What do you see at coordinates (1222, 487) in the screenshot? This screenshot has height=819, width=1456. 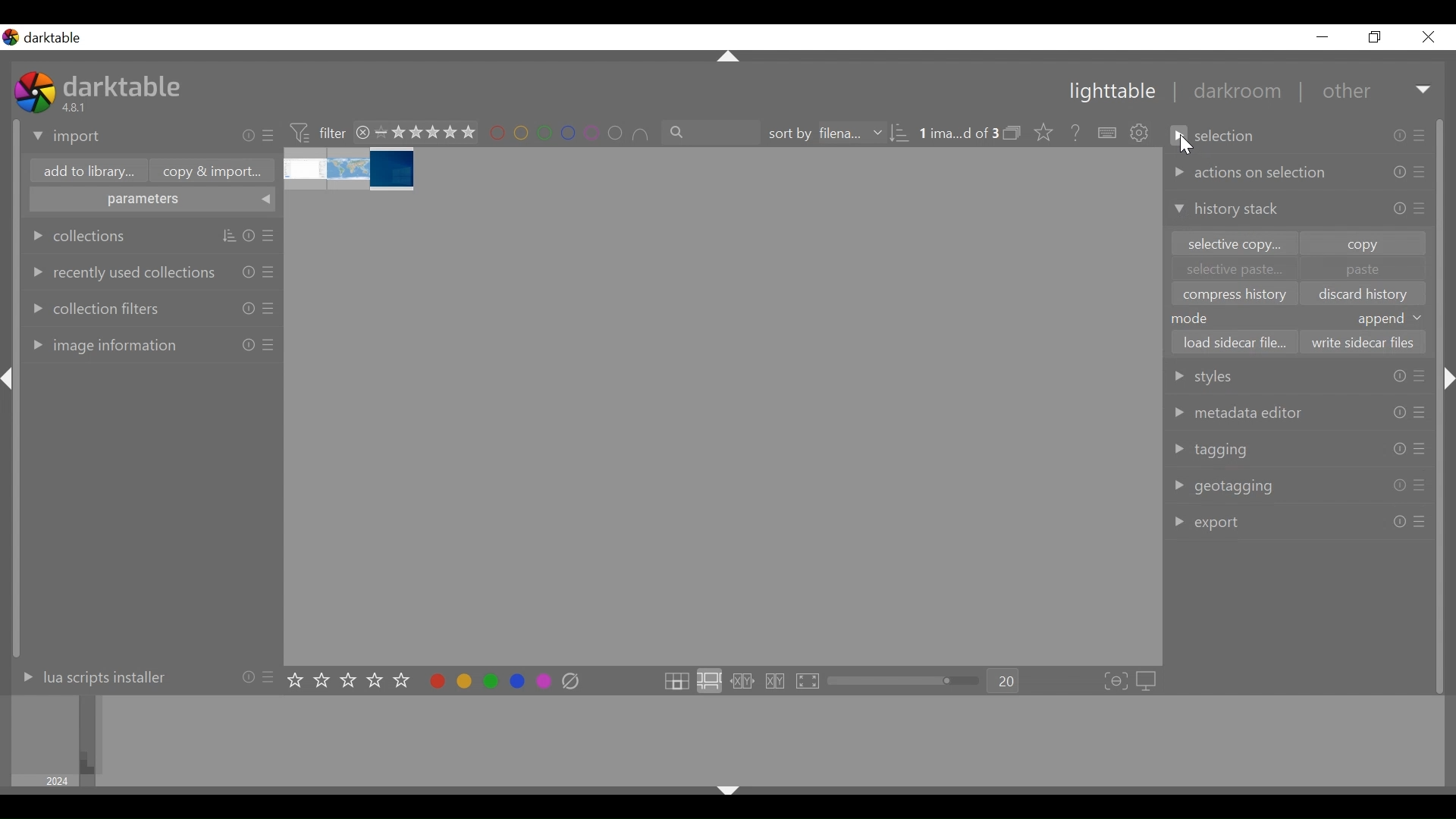 I see `geotagging` at bounding box center [1222, 487].